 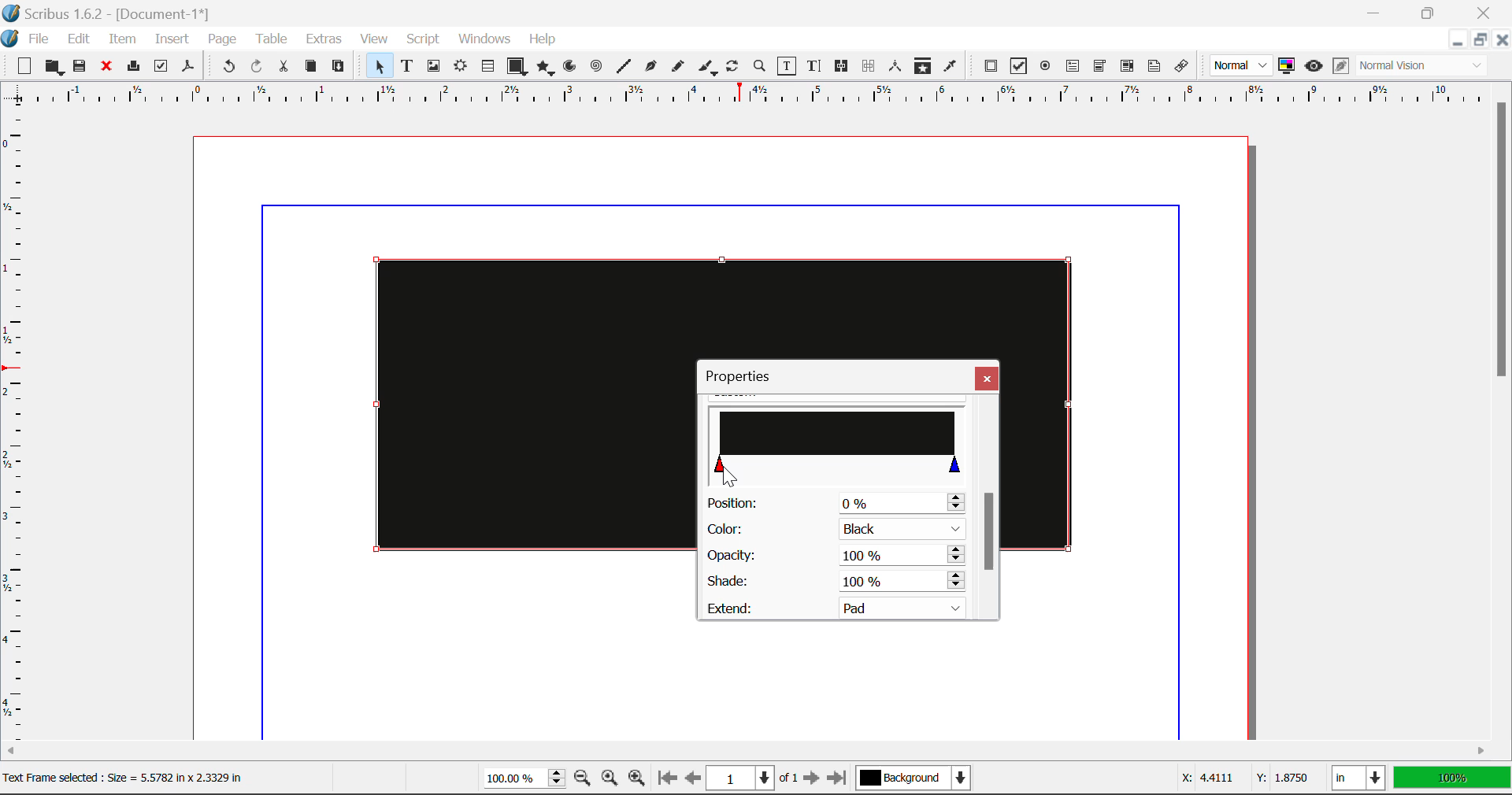 I want to click on Bezier Curve, so click(x=651, y=68).